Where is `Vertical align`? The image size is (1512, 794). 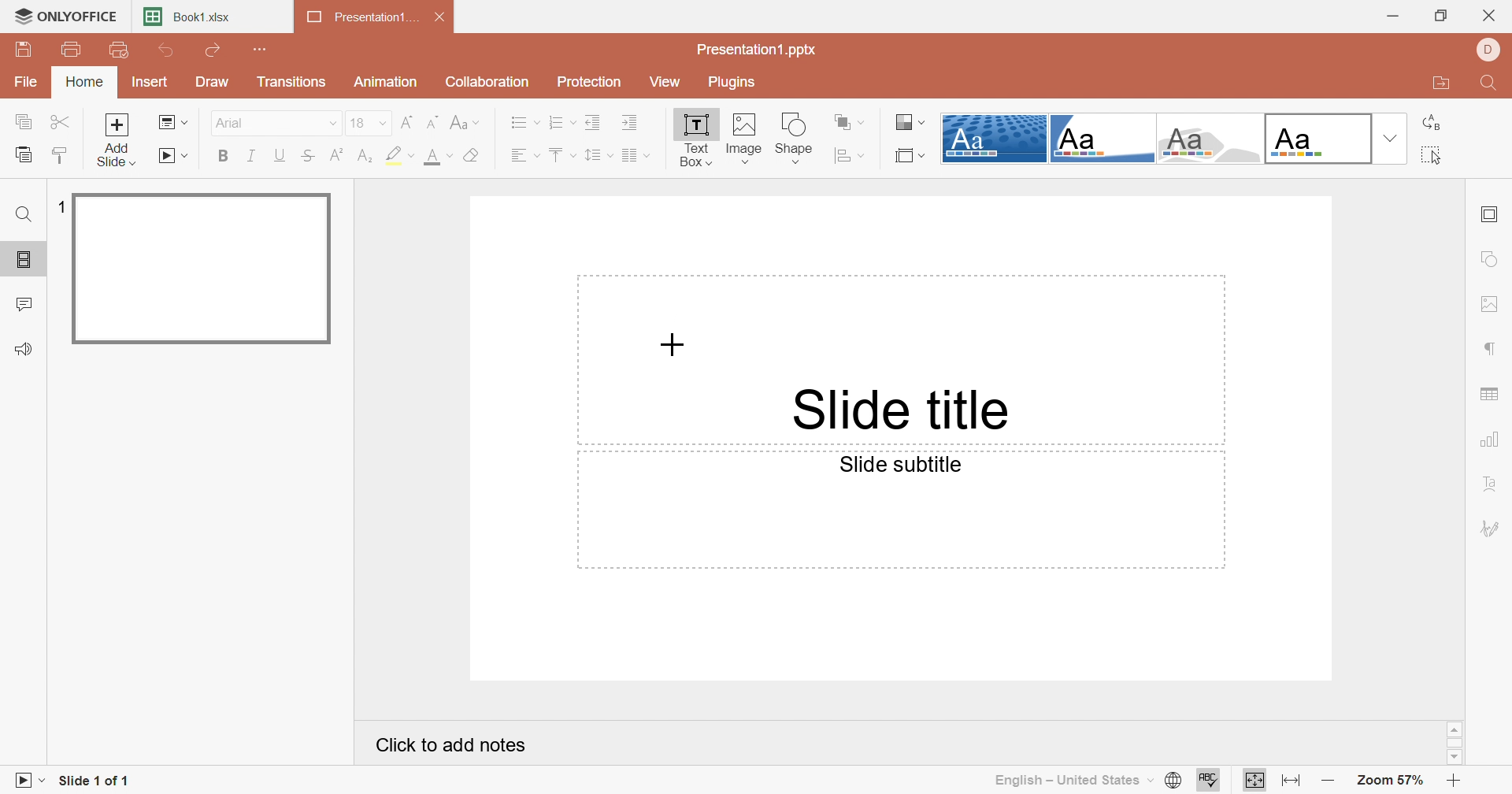 Vertical align is located at coordinates (561, 151).